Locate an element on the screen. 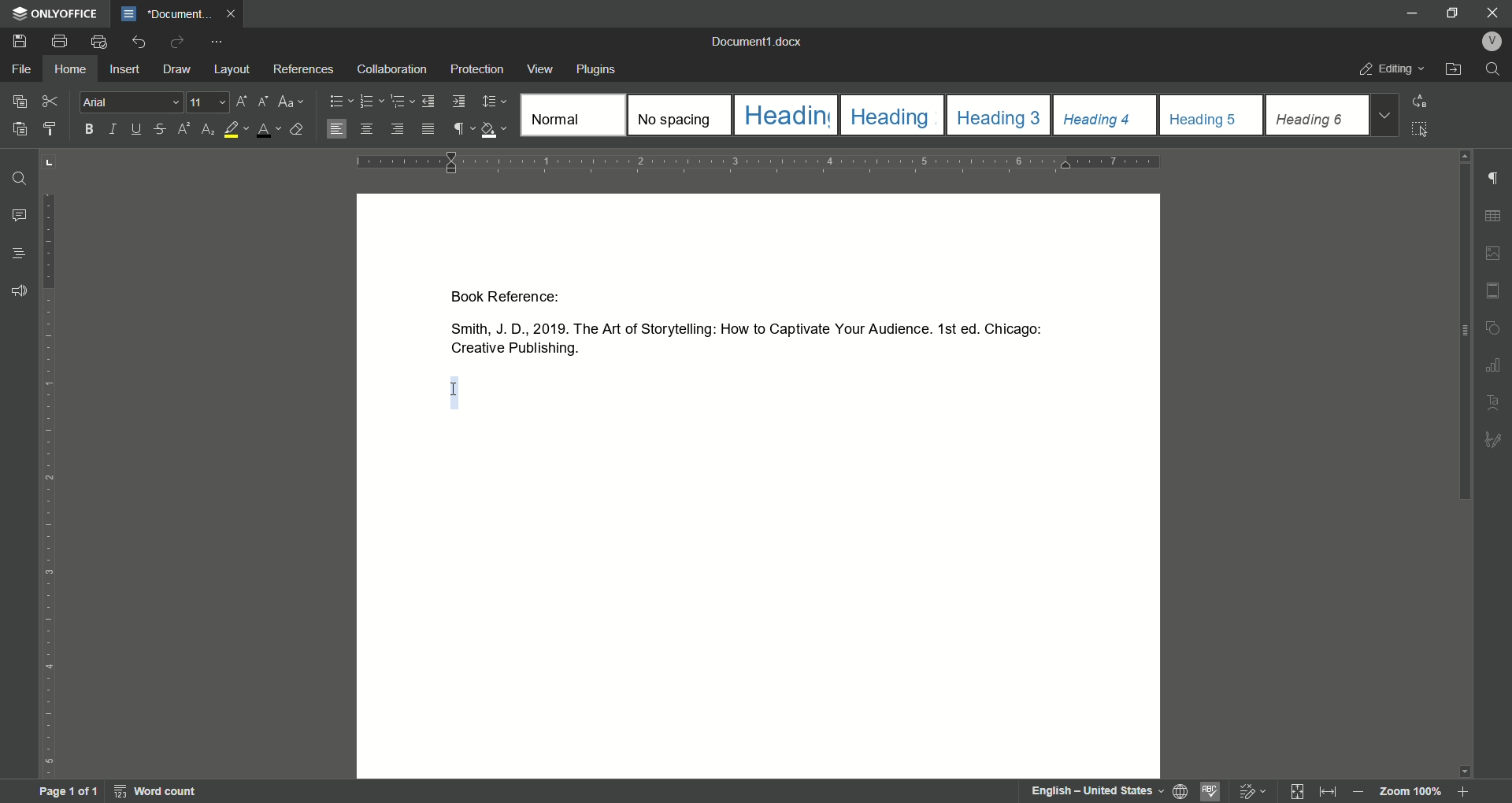 The height and width of the screenshot is (803, 1512). bulets is located at coordinates (341, 100).